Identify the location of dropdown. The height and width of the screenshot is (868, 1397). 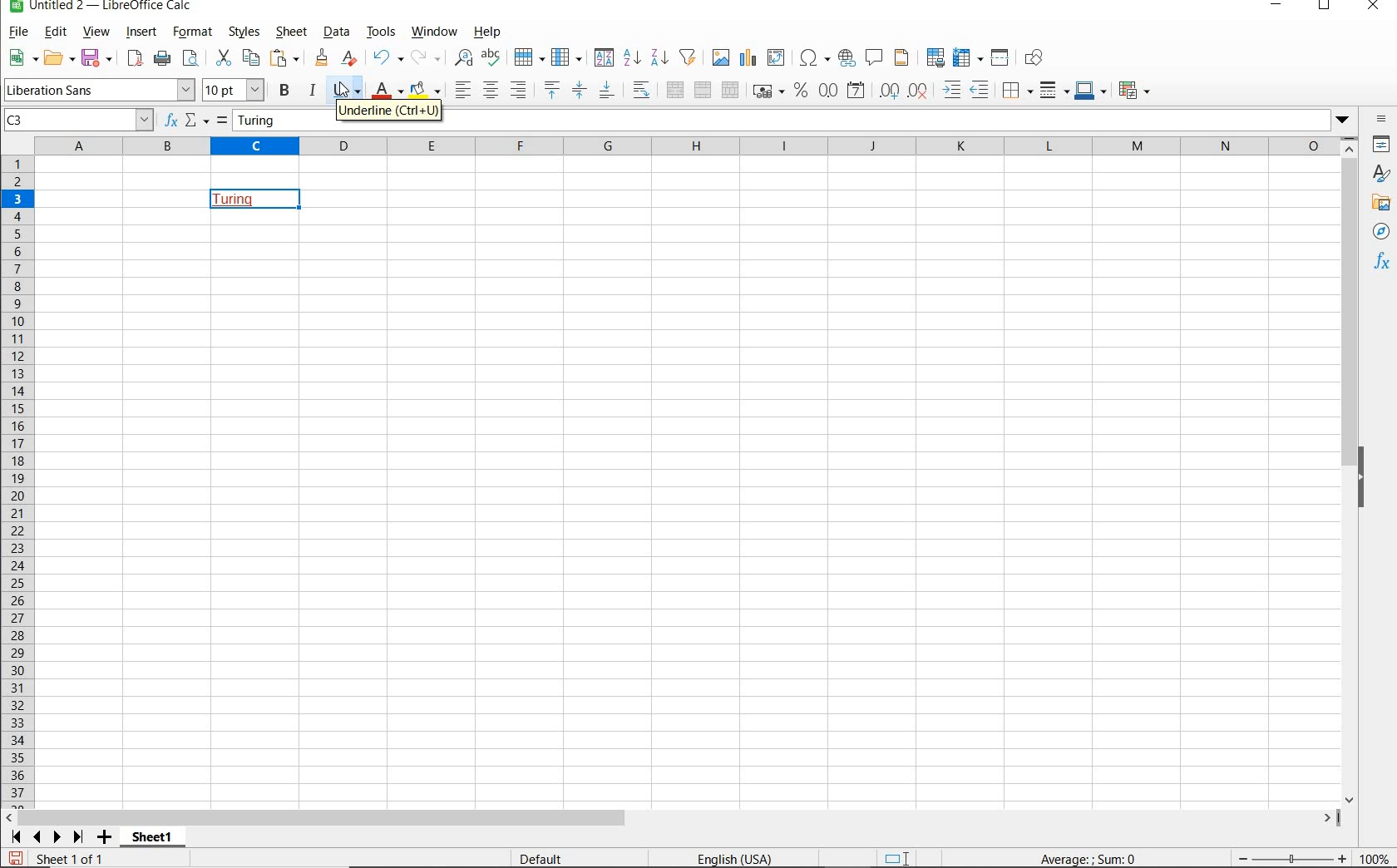
(1350, 121).